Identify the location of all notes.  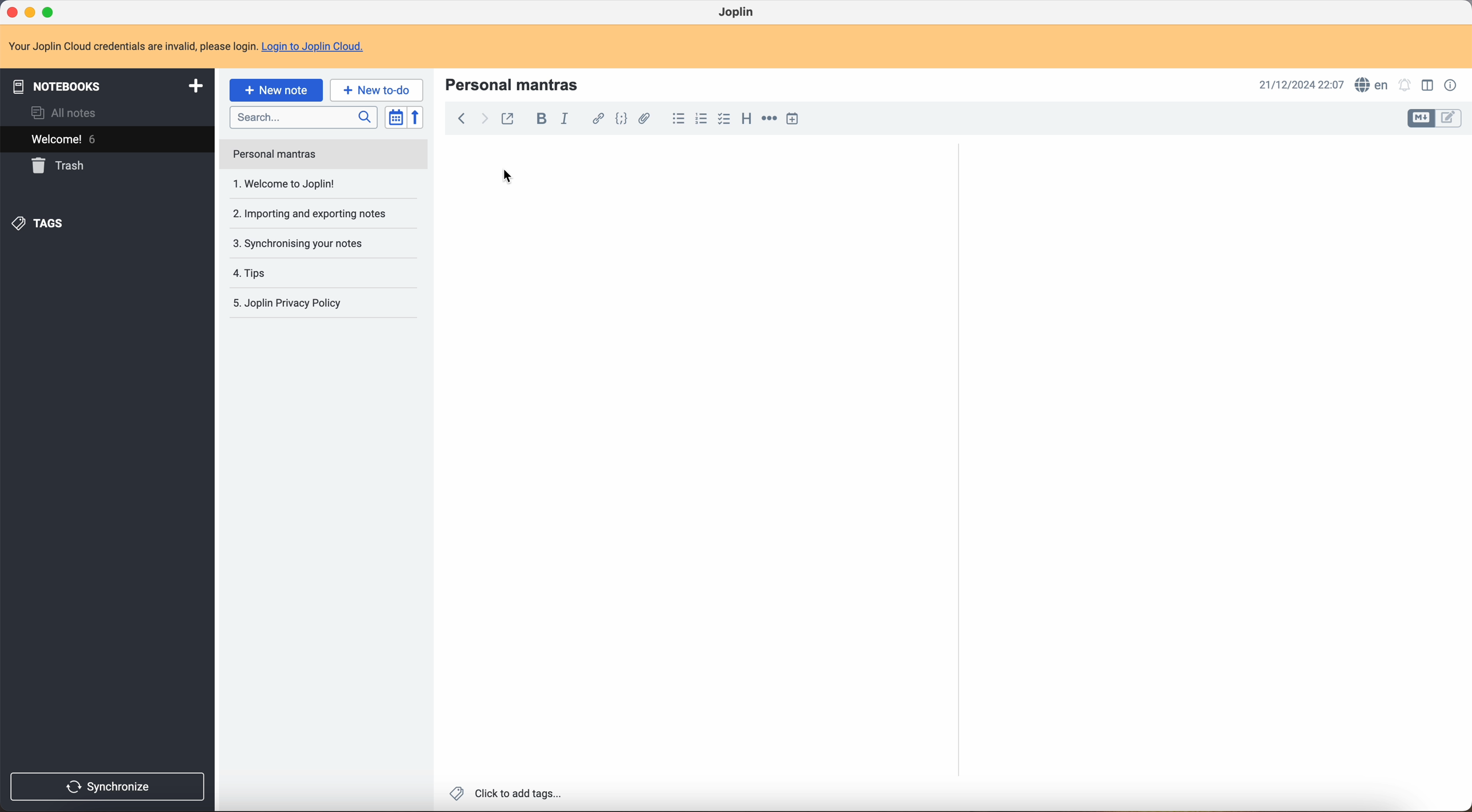
(62, 113).